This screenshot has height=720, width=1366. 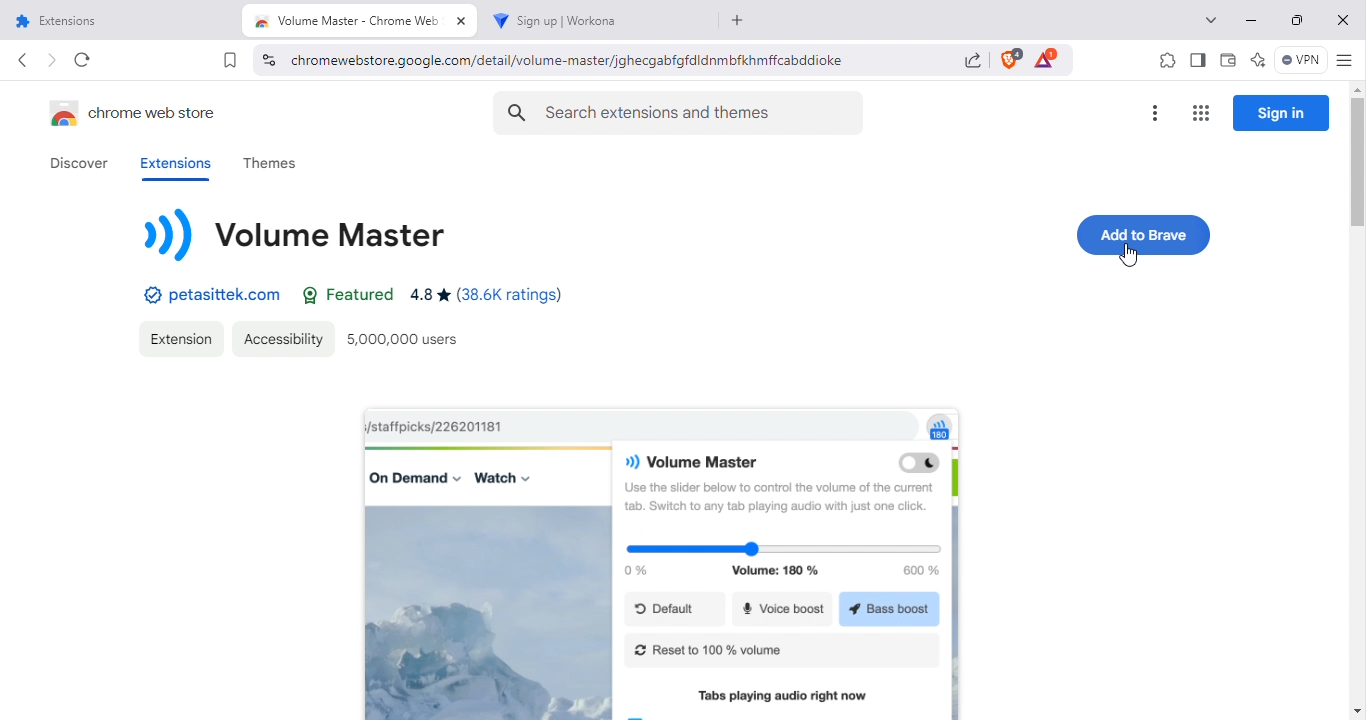 I want to click on Close, so click(x=1342, y=19).